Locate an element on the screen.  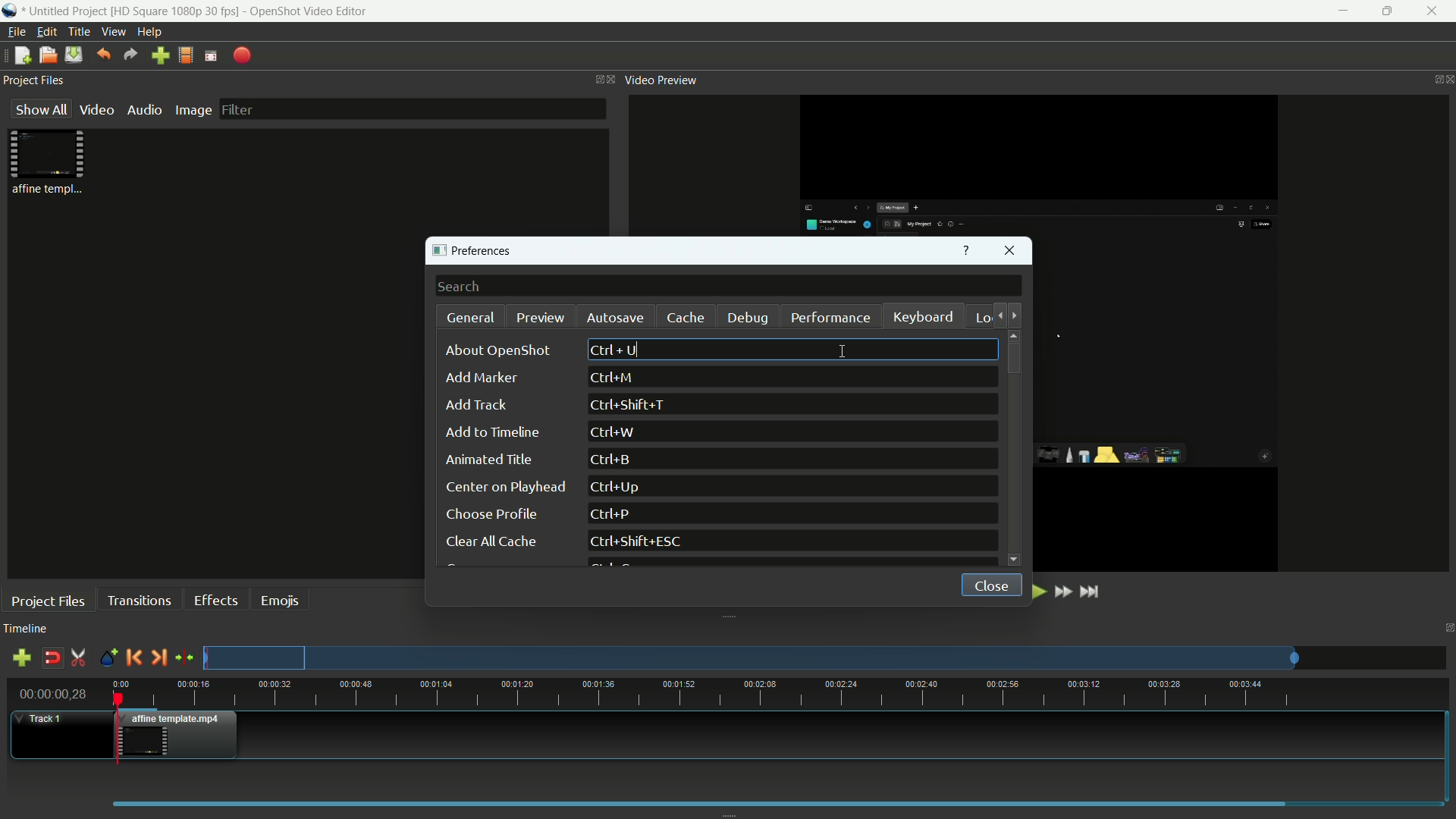
enable razor is located at coordinates (78, 658).